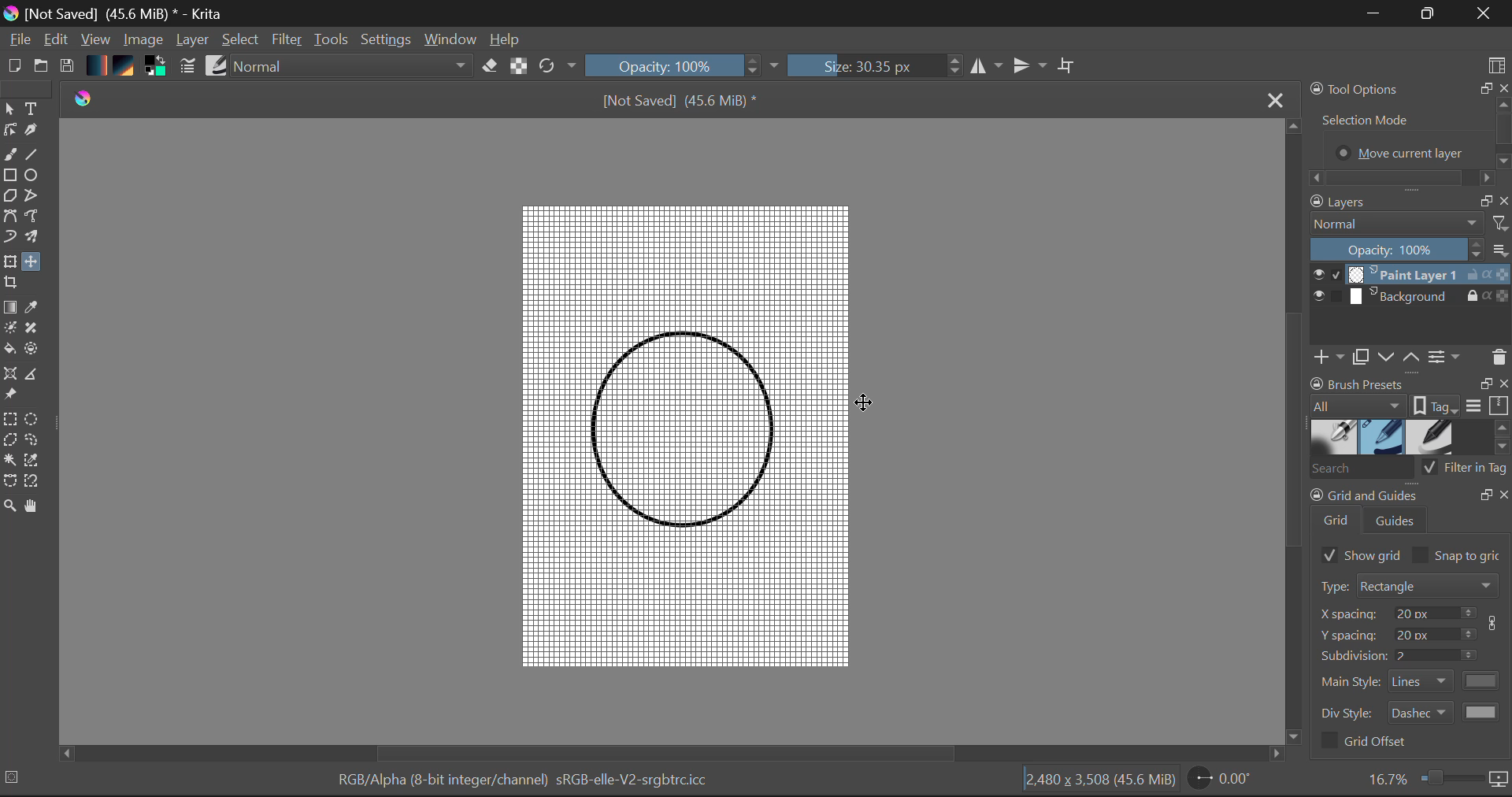 This screenshot has width=1512, height=797. Describe the element at coordinates (35, 175) in the screenshot. I see `Elipses` at that location.